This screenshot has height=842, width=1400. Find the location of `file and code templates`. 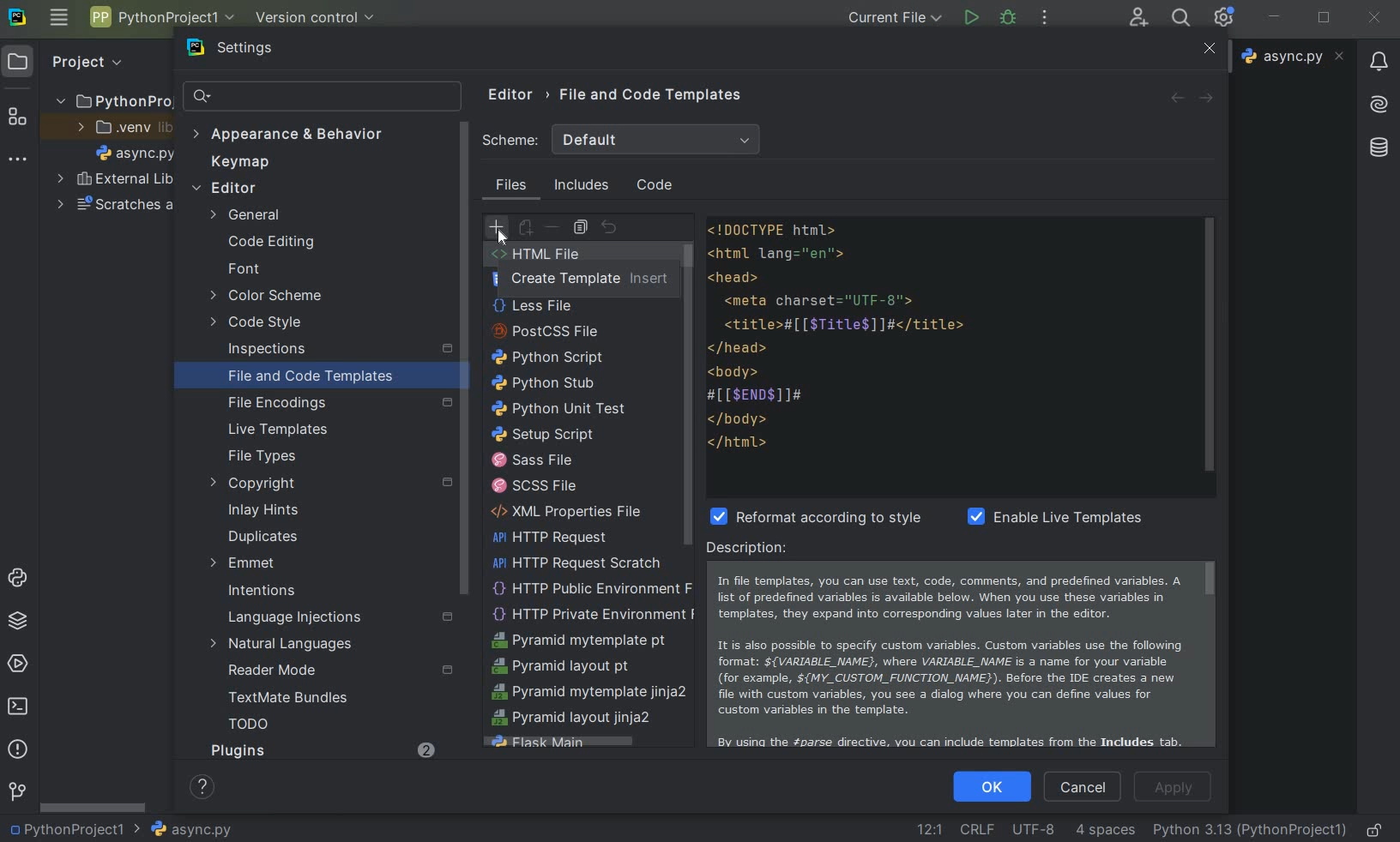

file and code templates is located at coordinates (329, 375).